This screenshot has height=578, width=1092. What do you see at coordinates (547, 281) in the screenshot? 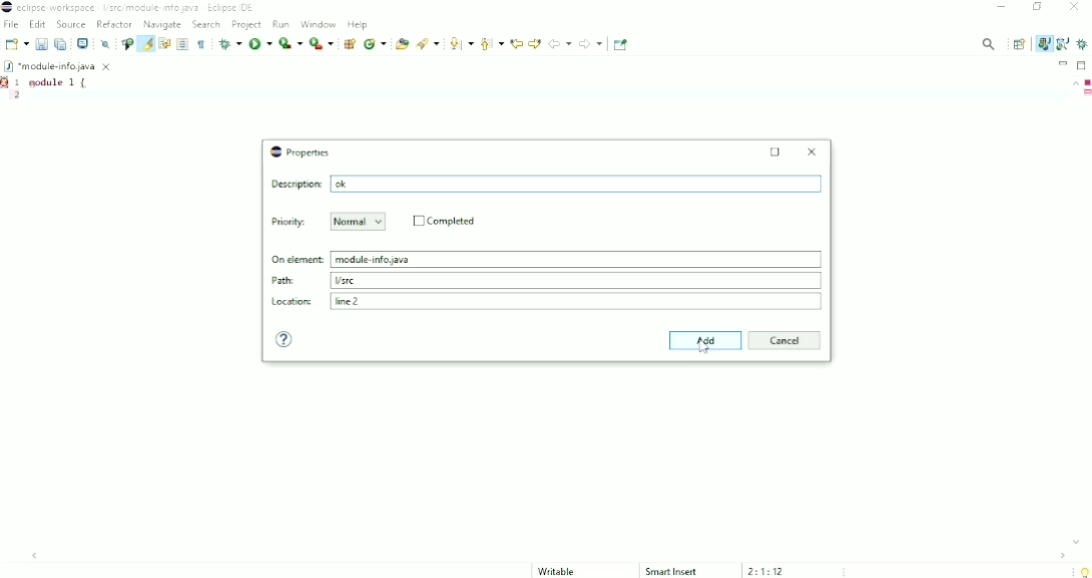
I see `Path` at bounding box center [547, 281].